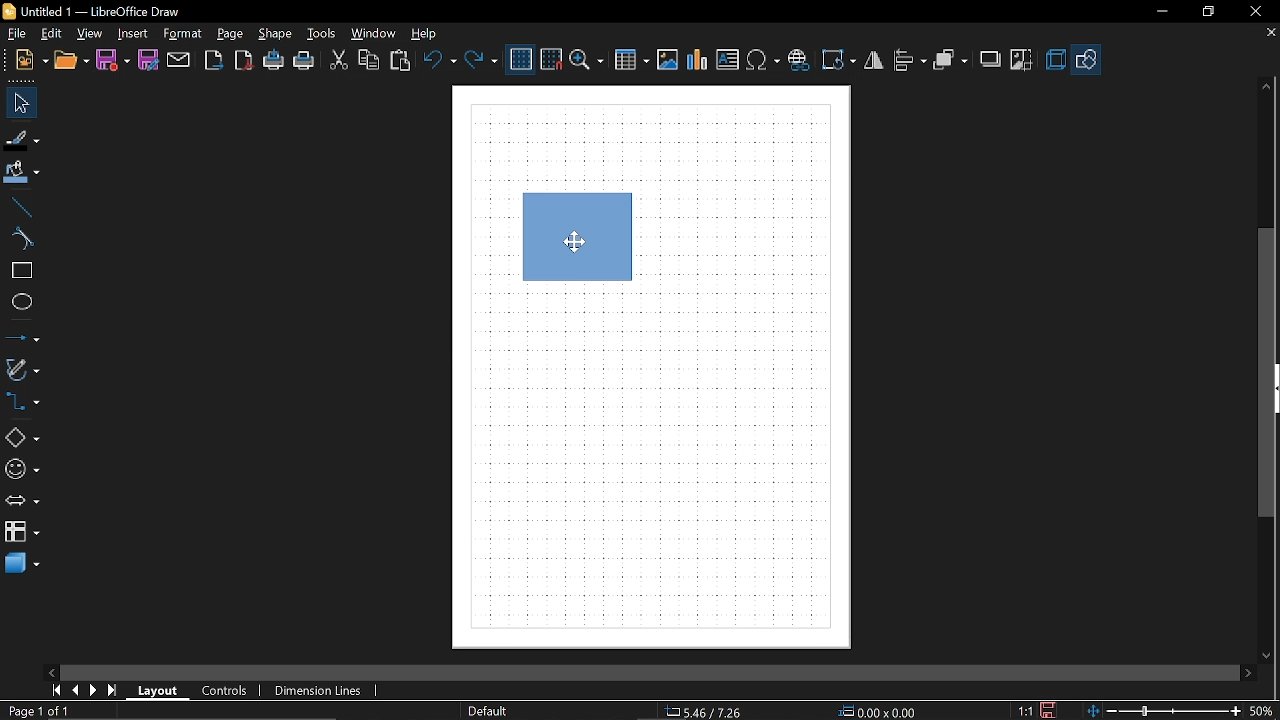  What do you see at coordinates (274, 61) in the screenshot?
I see `Print directly` at bounding box center [274, 61].